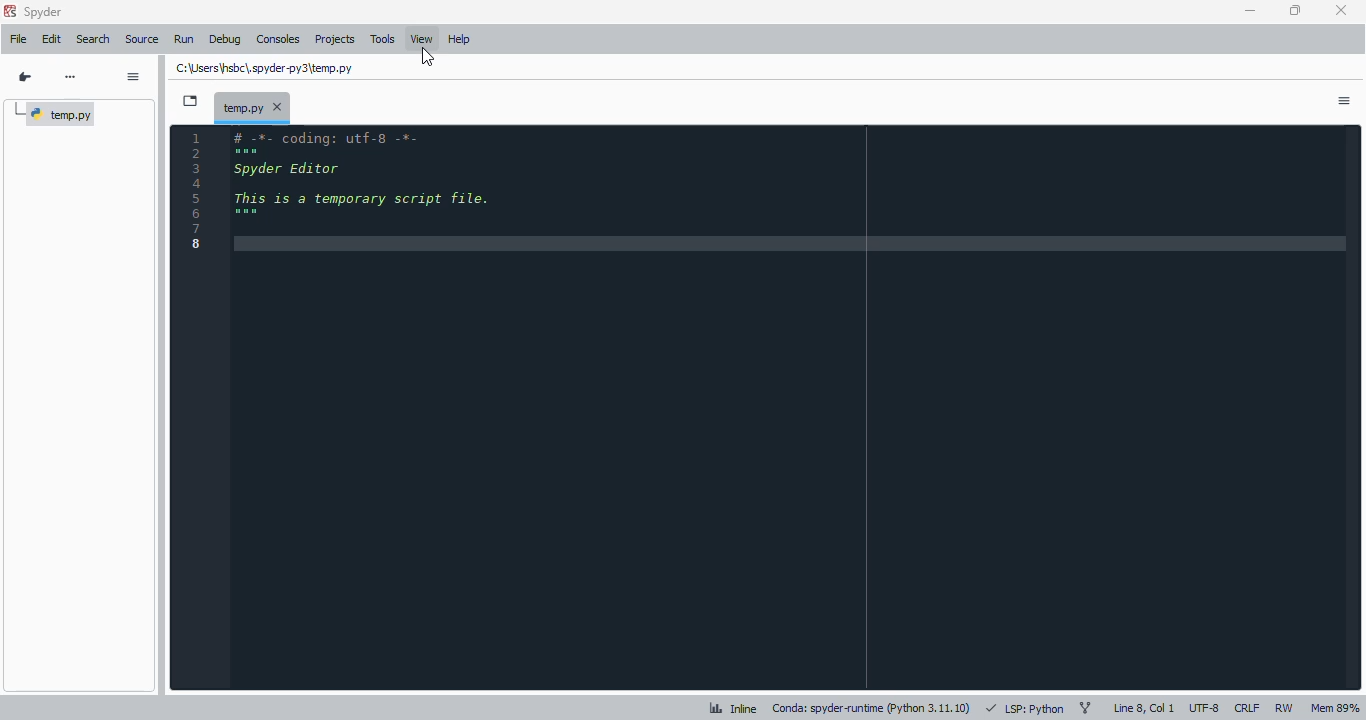 The image size is (1366, 720). I want to click on CRLF, so click(1247, 708).